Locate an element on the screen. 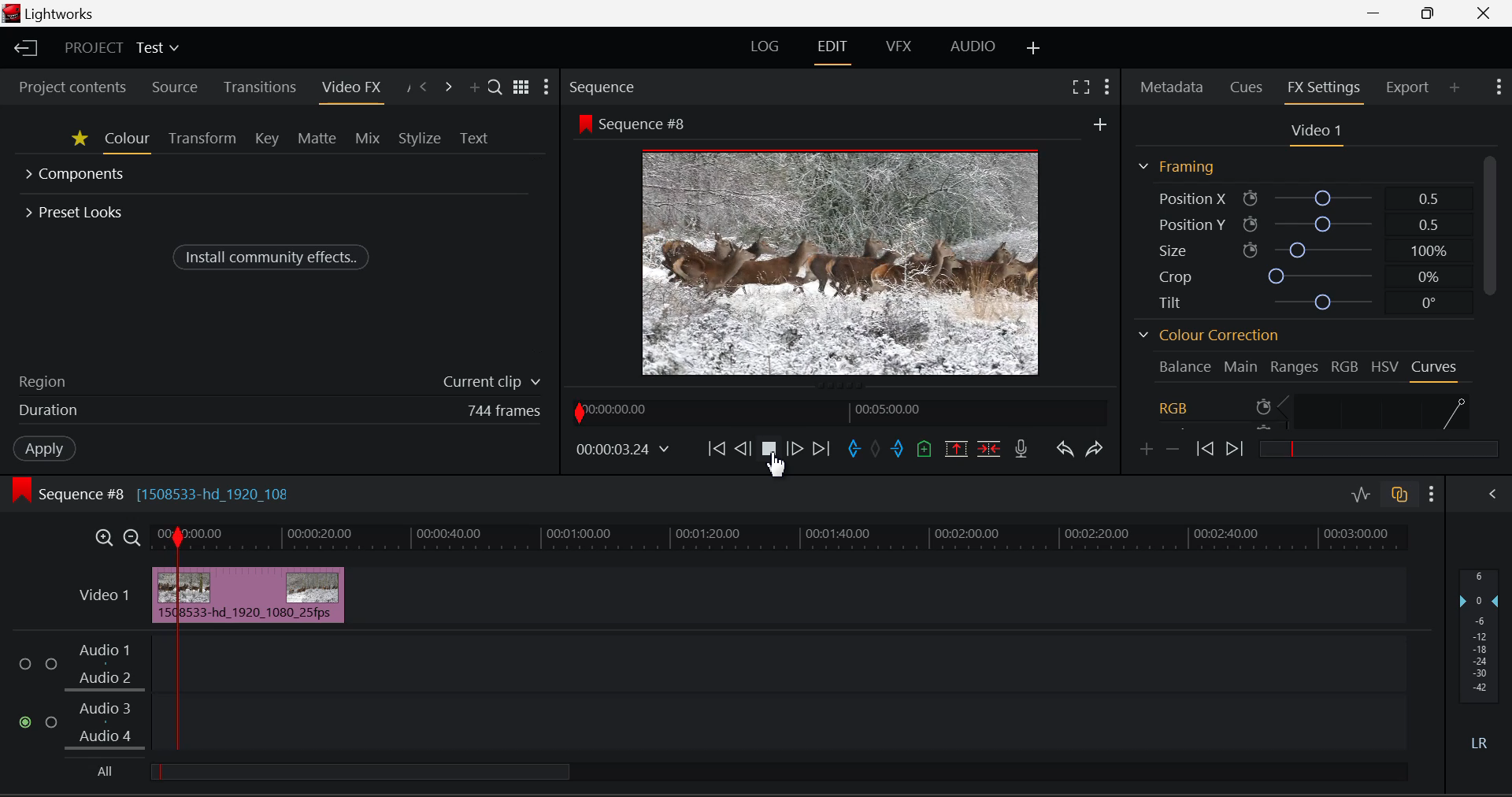  Go Back is located at coordinates (743, 447).